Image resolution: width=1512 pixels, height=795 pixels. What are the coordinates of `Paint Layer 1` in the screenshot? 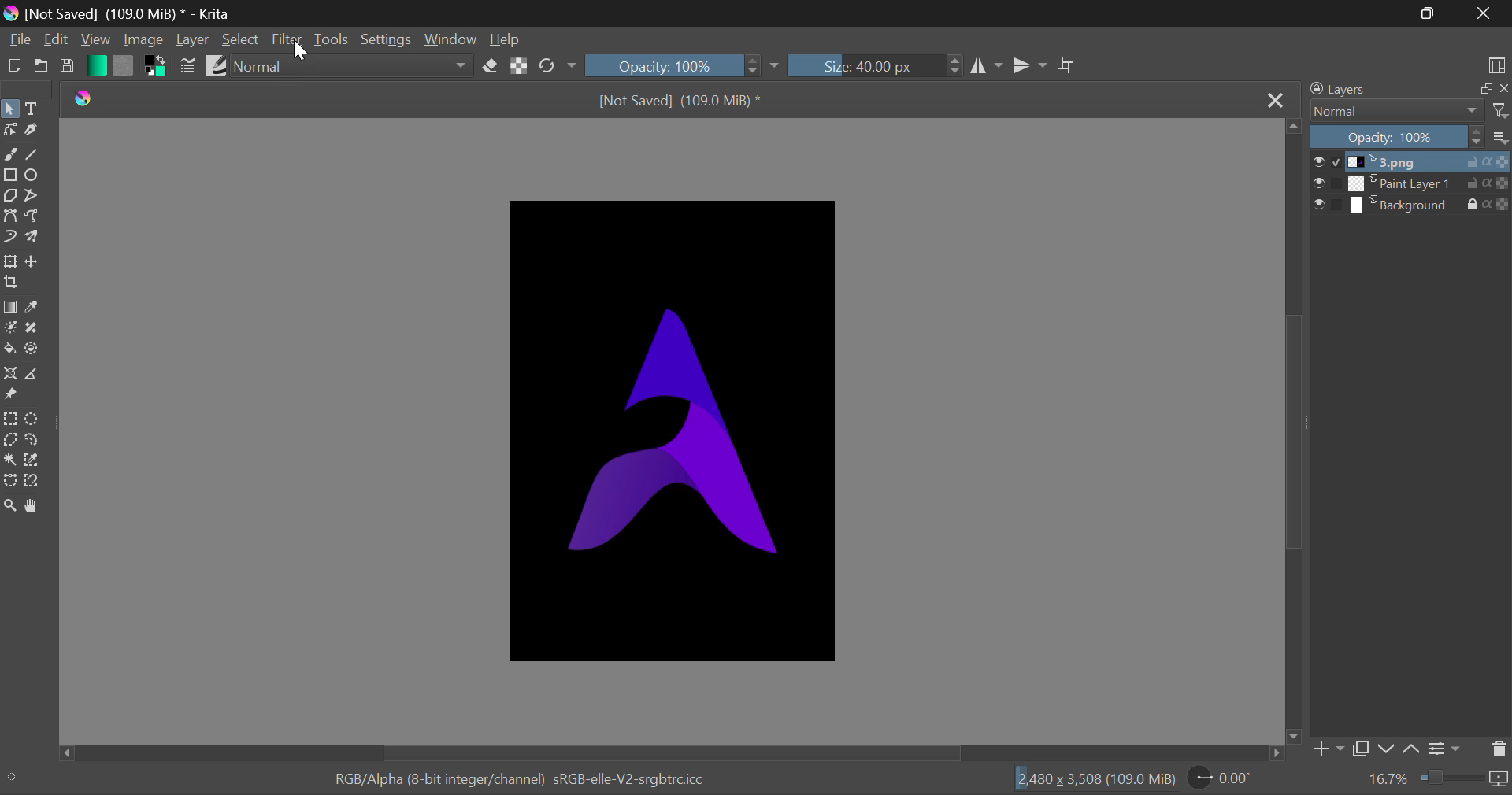 It's located at (1413, 183).